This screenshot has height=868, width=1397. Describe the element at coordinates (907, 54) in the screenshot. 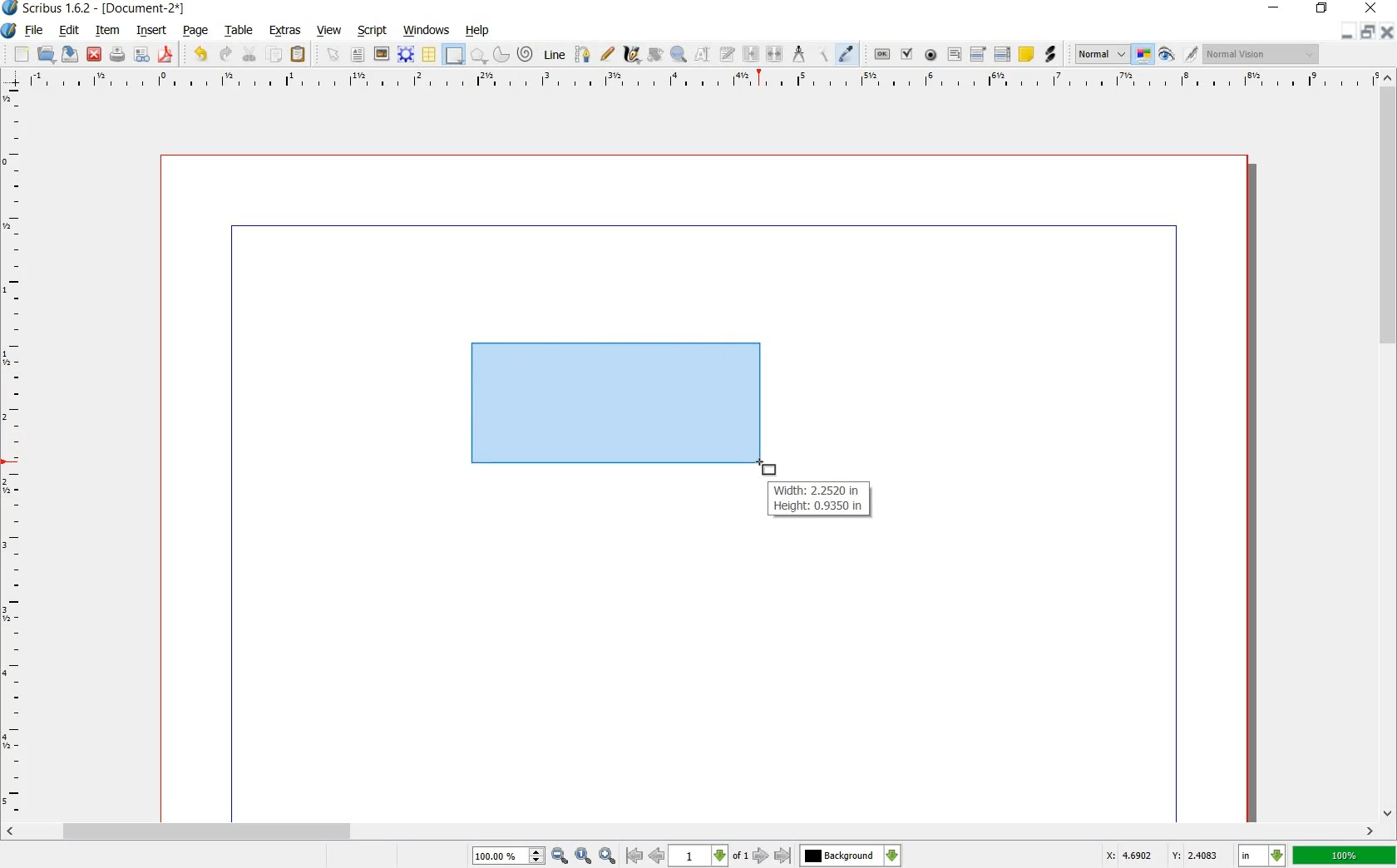

I see `PDF CHECK BOX` at that location.